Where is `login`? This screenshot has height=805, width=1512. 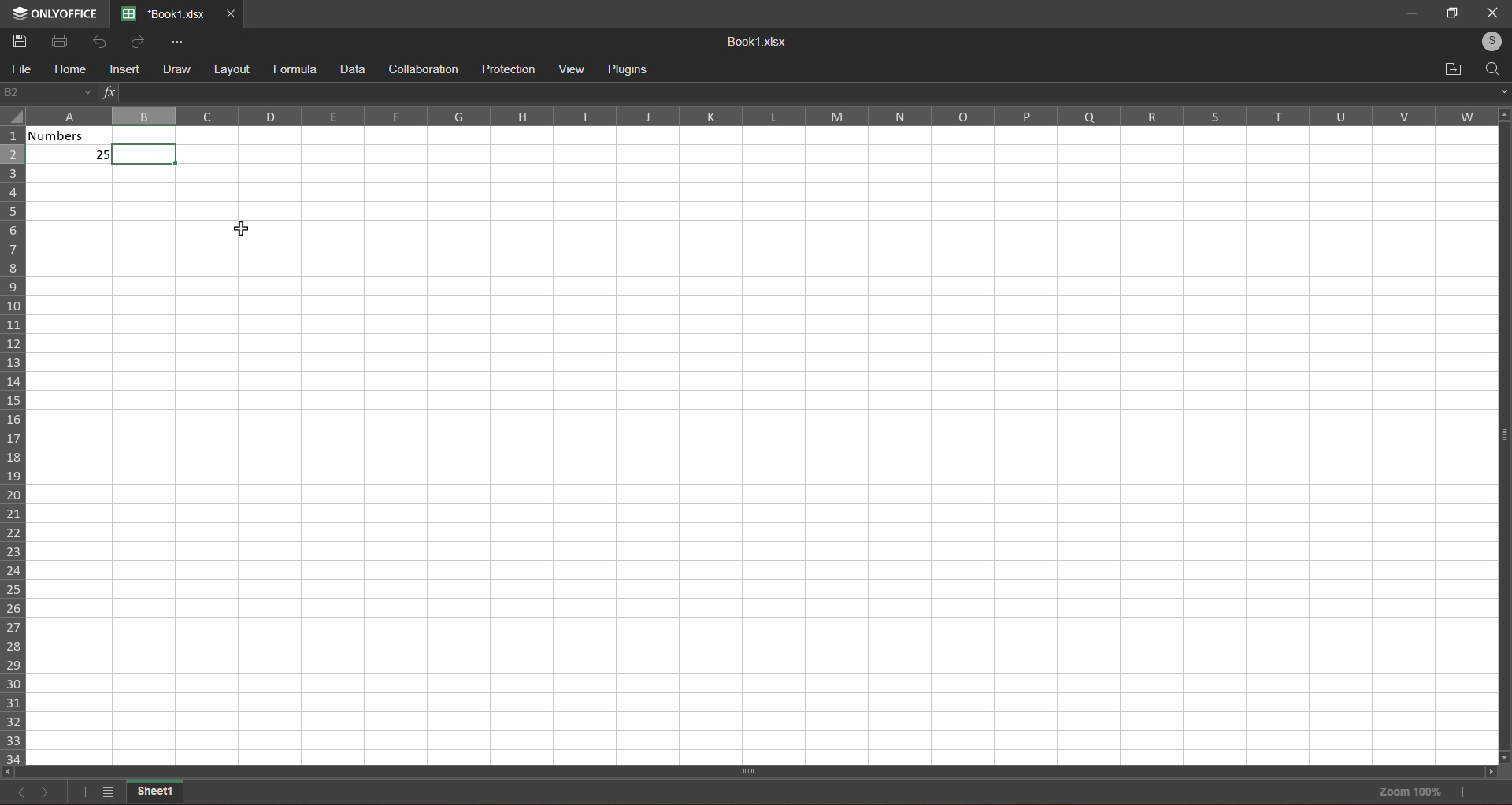 login is located at coordinates (1488, 39).